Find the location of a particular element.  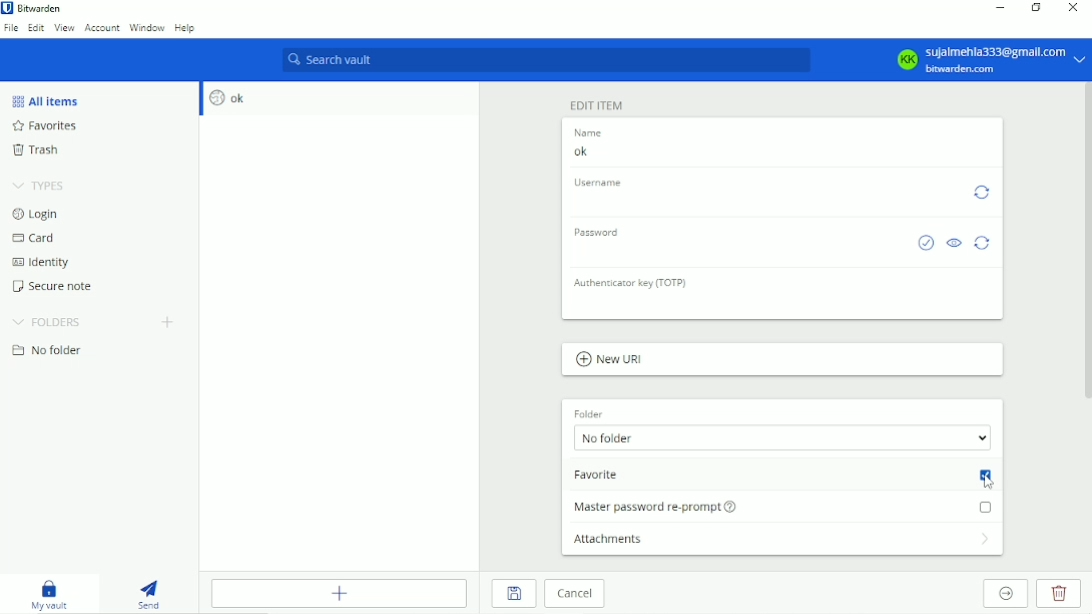

Identify is located at coordinates (44, 263).